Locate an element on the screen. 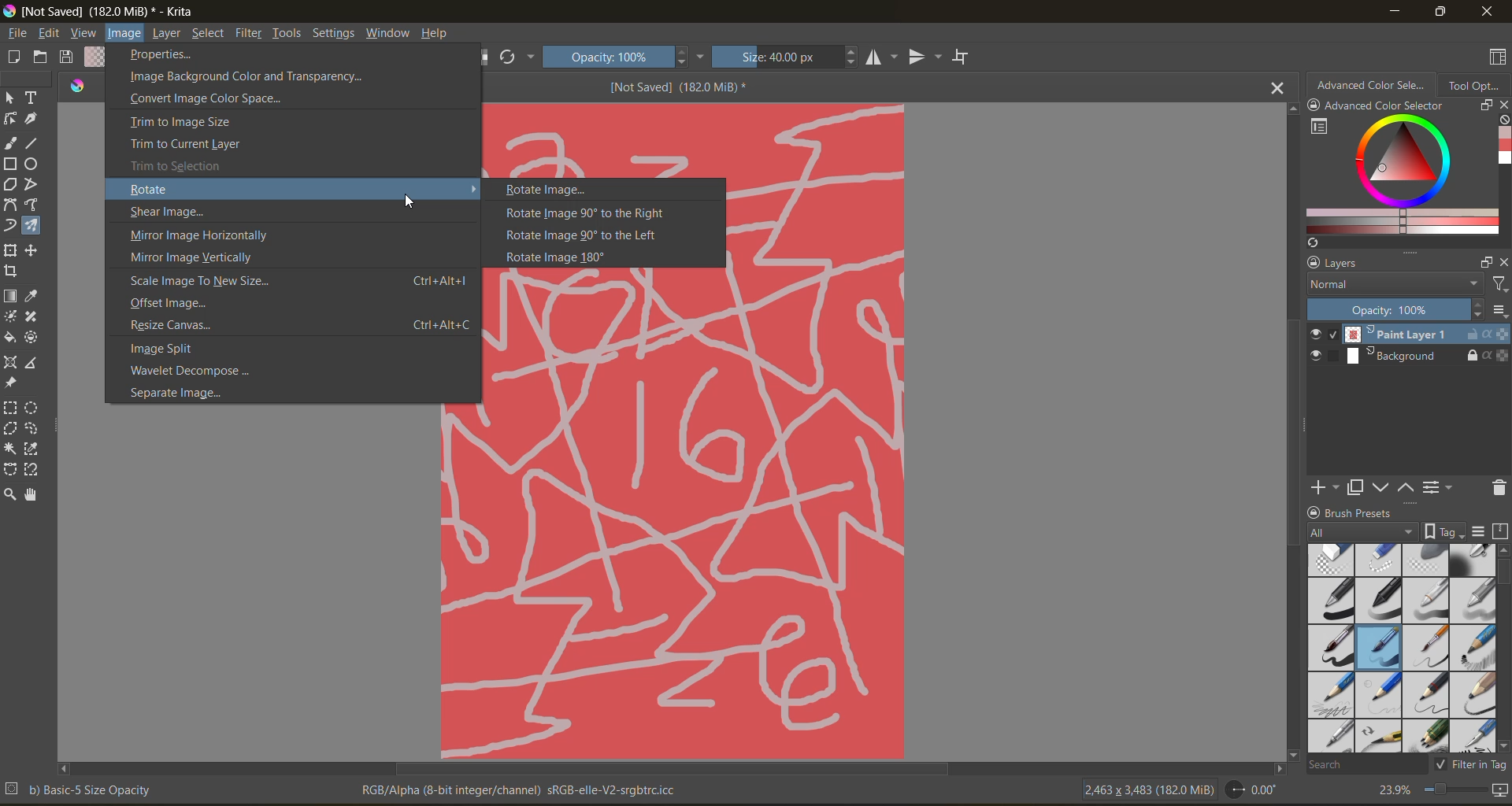 The width and height of the screenshot is (1512, 806). add is located at coordinates (1322, 486).